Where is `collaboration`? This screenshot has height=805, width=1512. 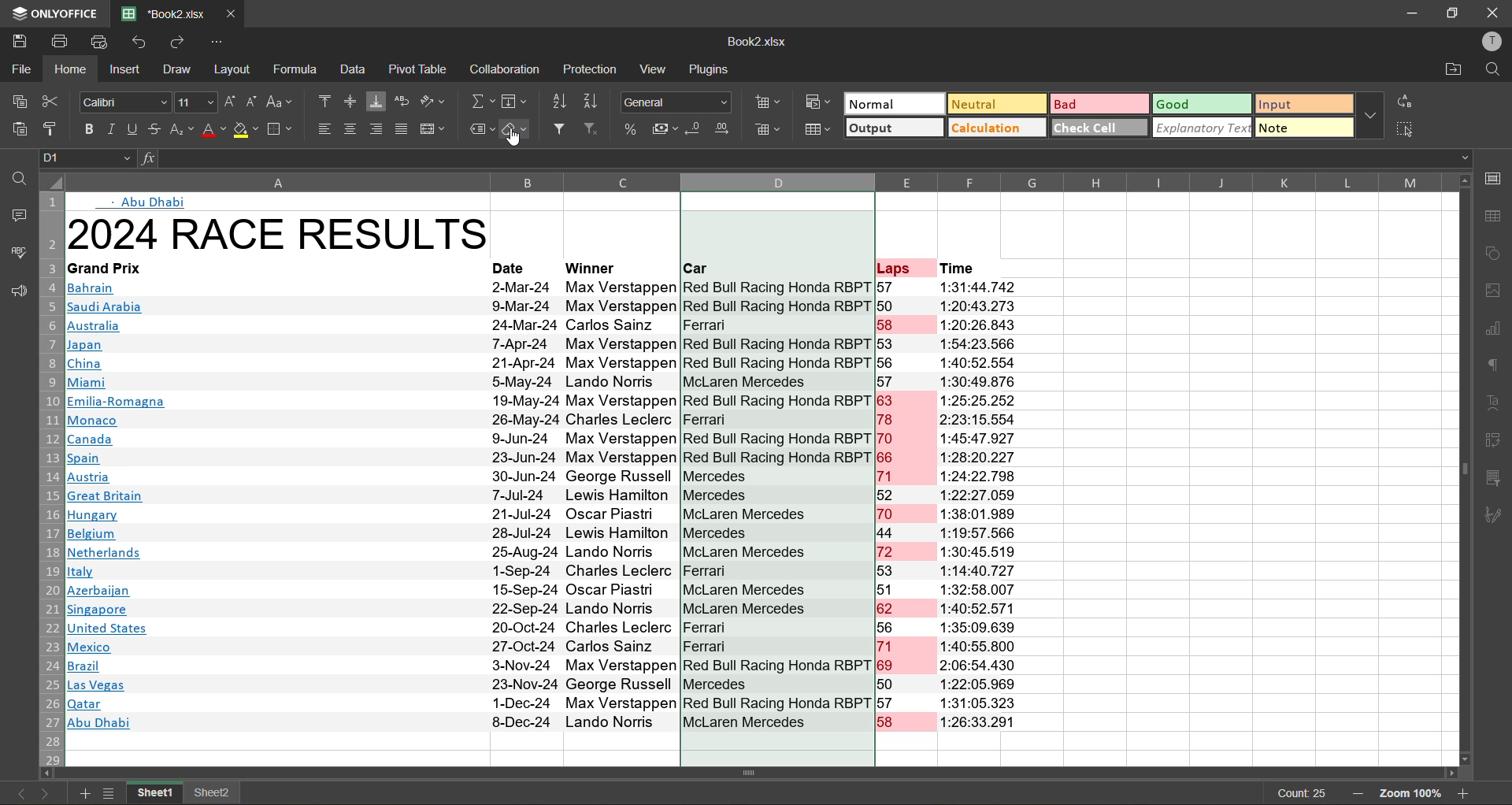
collaboration is located at coordinates (509, 71).